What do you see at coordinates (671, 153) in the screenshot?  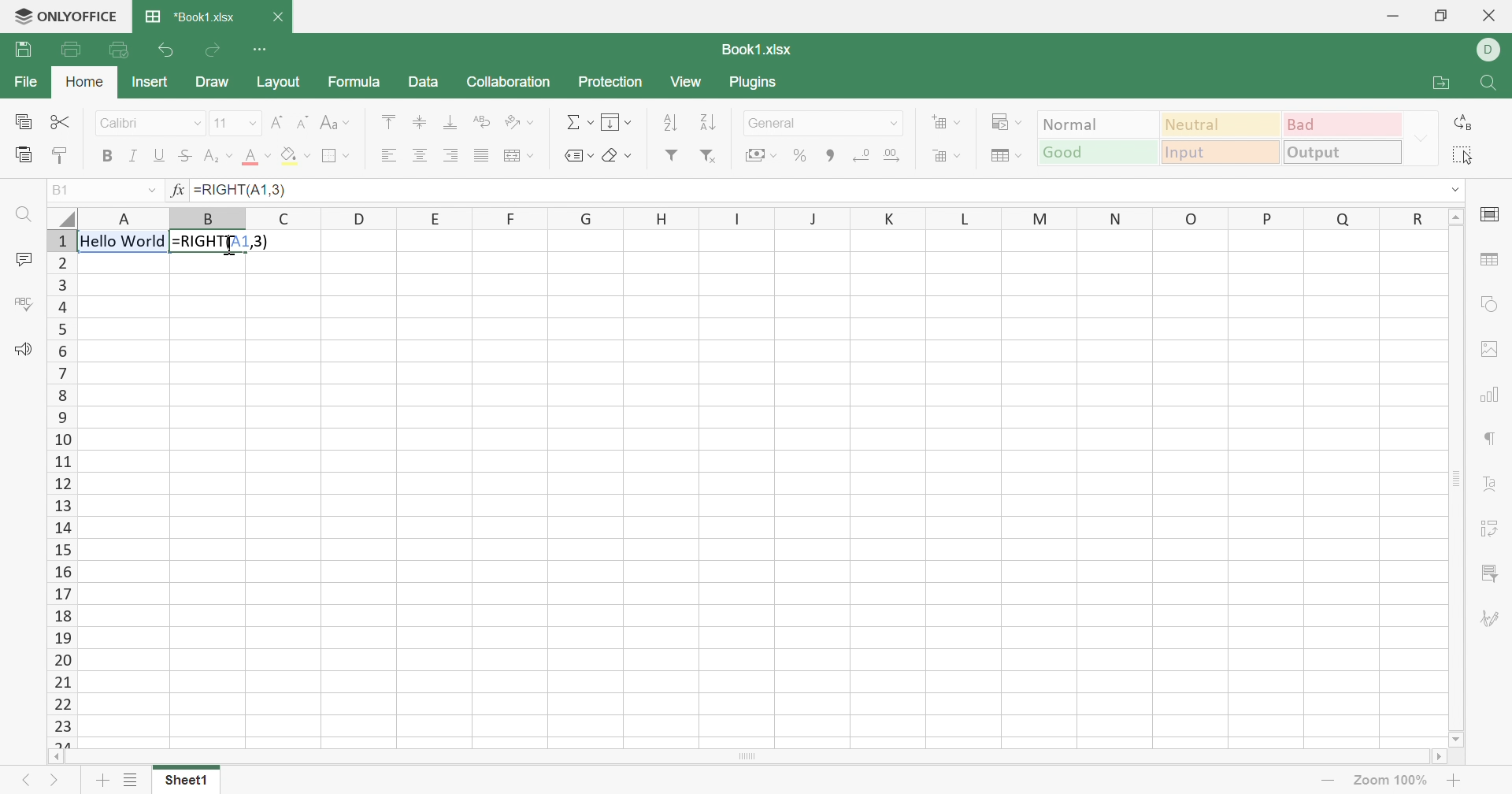 I see `Filter` at bounding box center [671, 153].